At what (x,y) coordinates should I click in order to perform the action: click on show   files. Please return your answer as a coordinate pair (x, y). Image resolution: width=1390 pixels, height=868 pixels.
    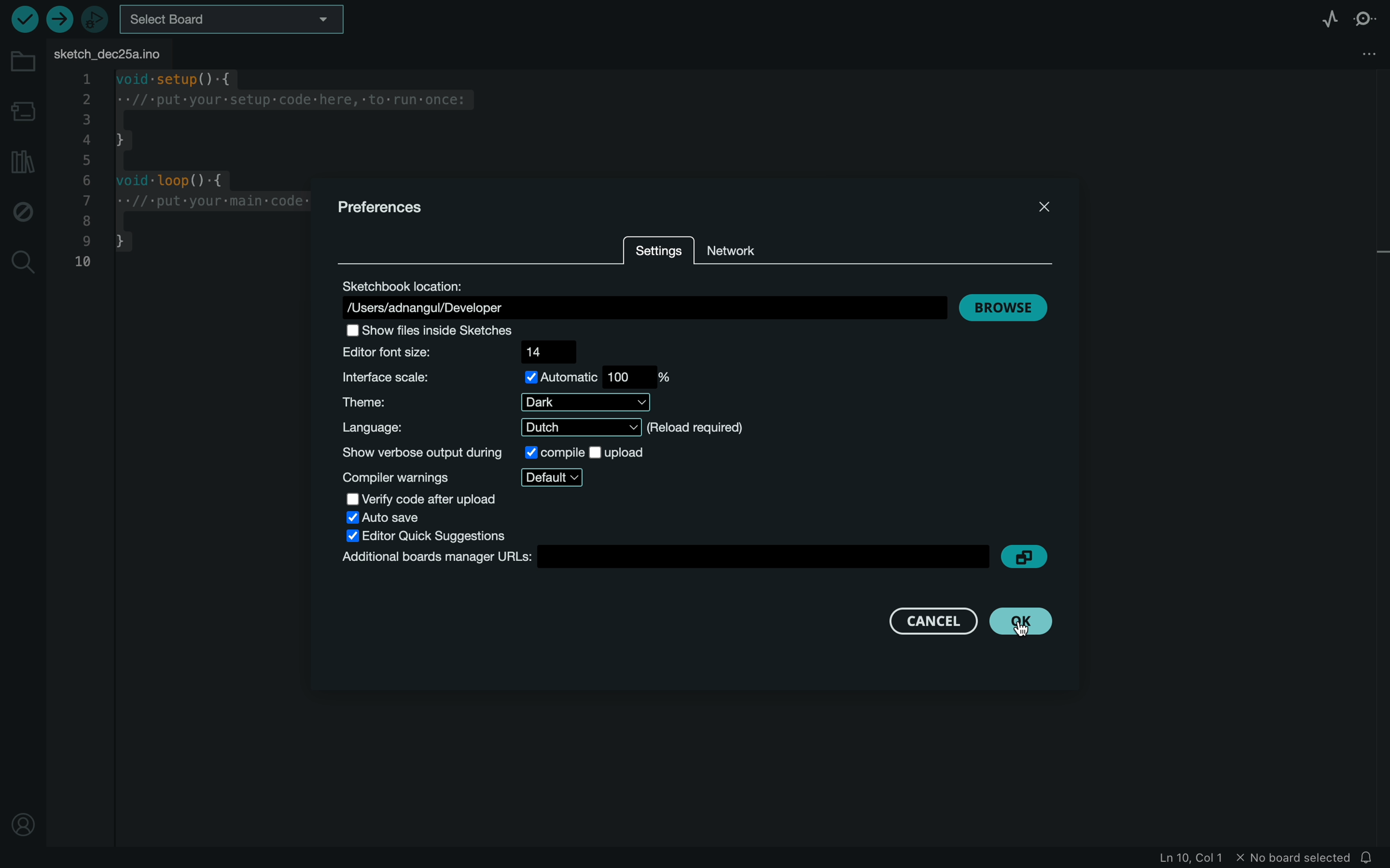
    Looking at the image, I should click on (439, 330).